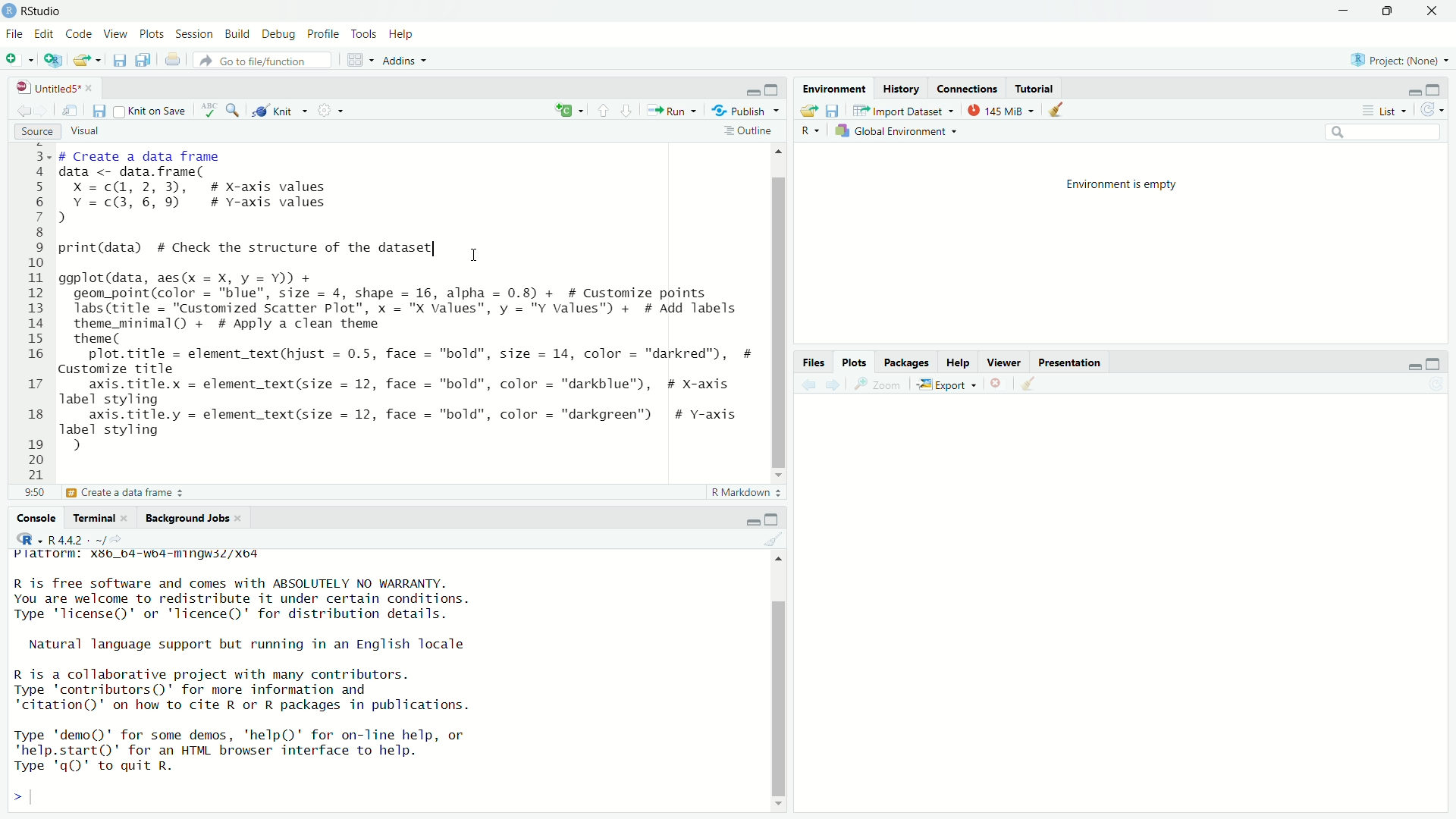 This screenshot has height=819, width=1456. Describe the element at coordinates (173, 60) in the screenshot. I see `Print the current file` at that location.